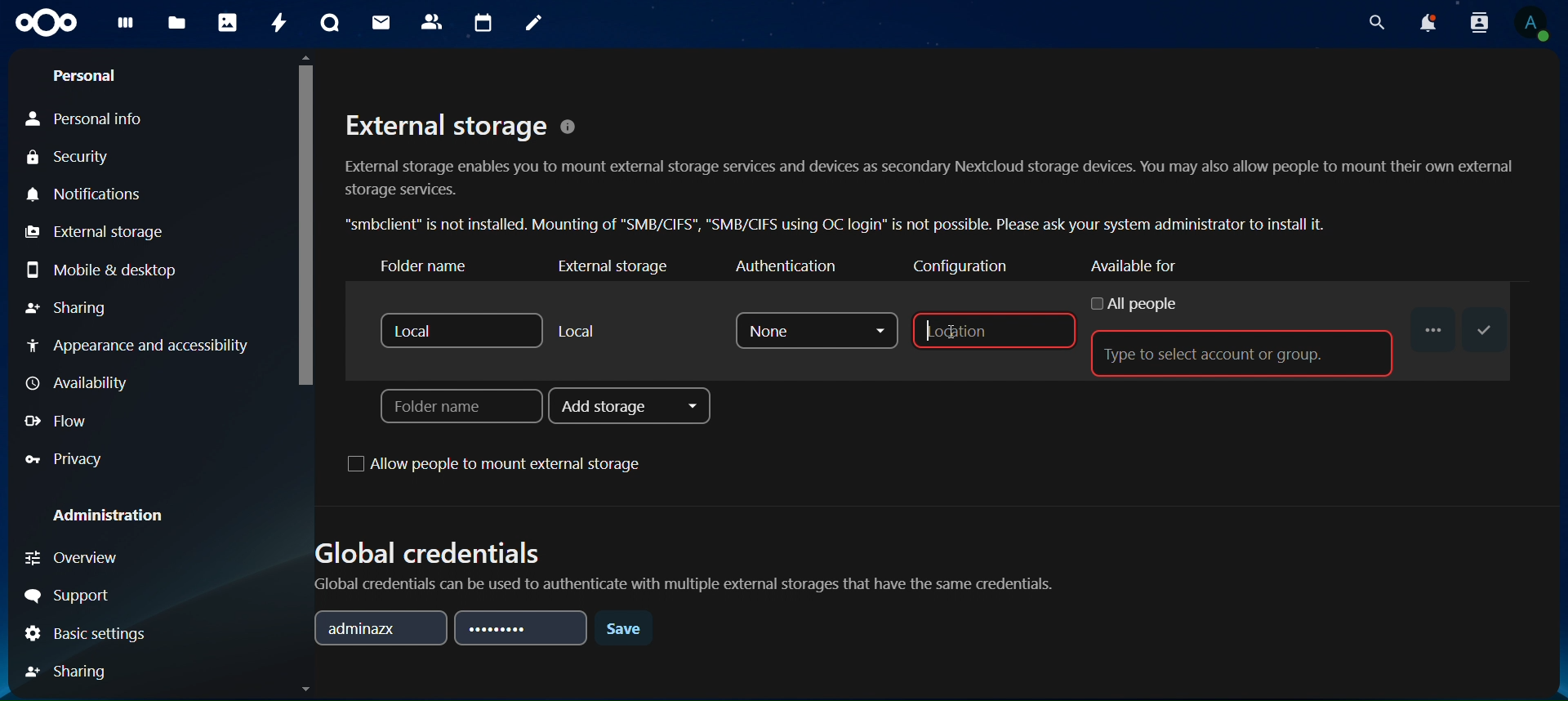 Image resolution: width=1568 pixels, height=701 pixels. What do you see at coordinates (143, 346) in the screenshot?
I see `appearance and accessibilty` at bounding box center [143, 346].